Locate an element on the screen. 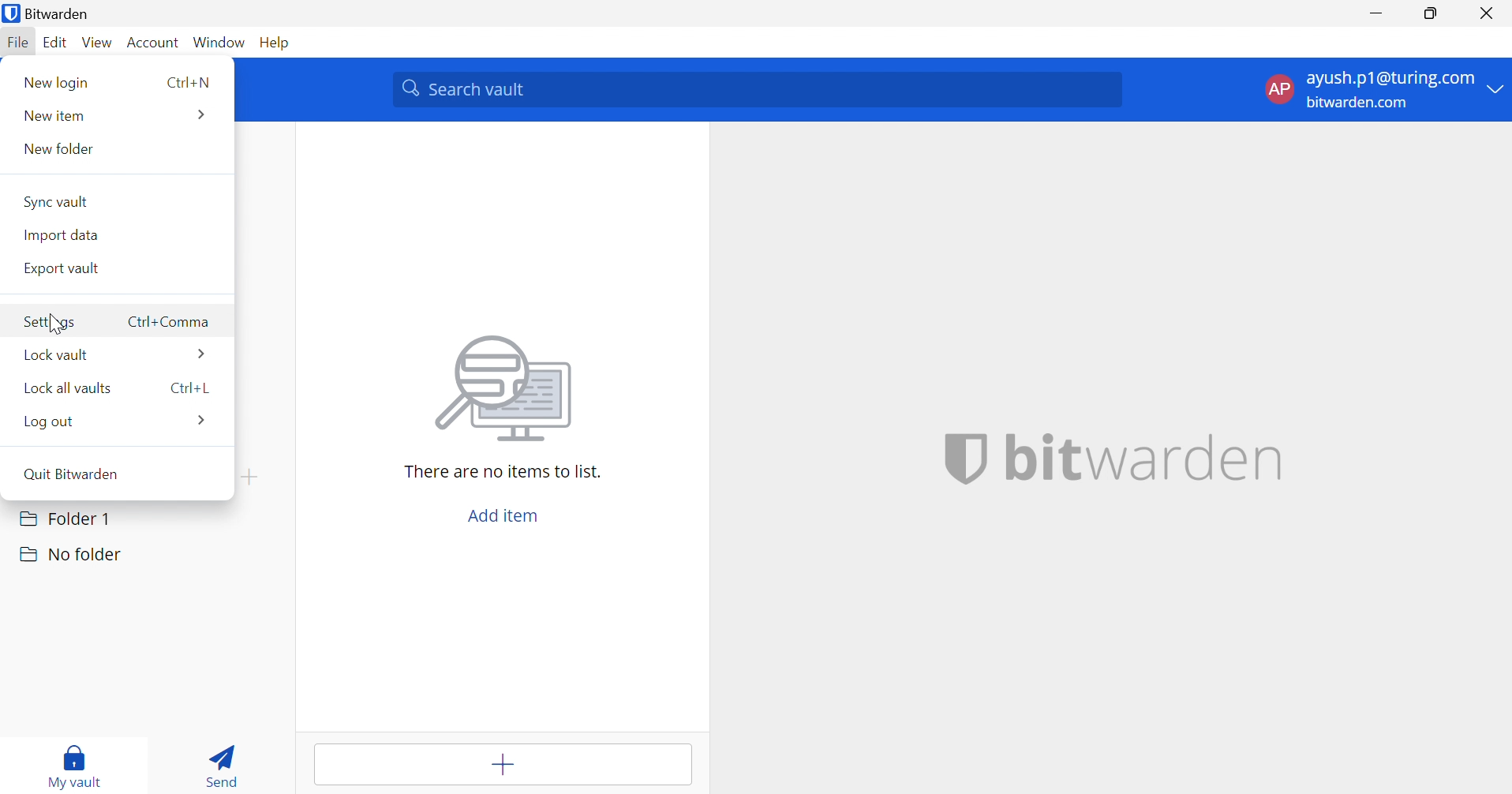 The width and height of the screenshot is (1512, 794). Settings is located at coordinates (53, 323).